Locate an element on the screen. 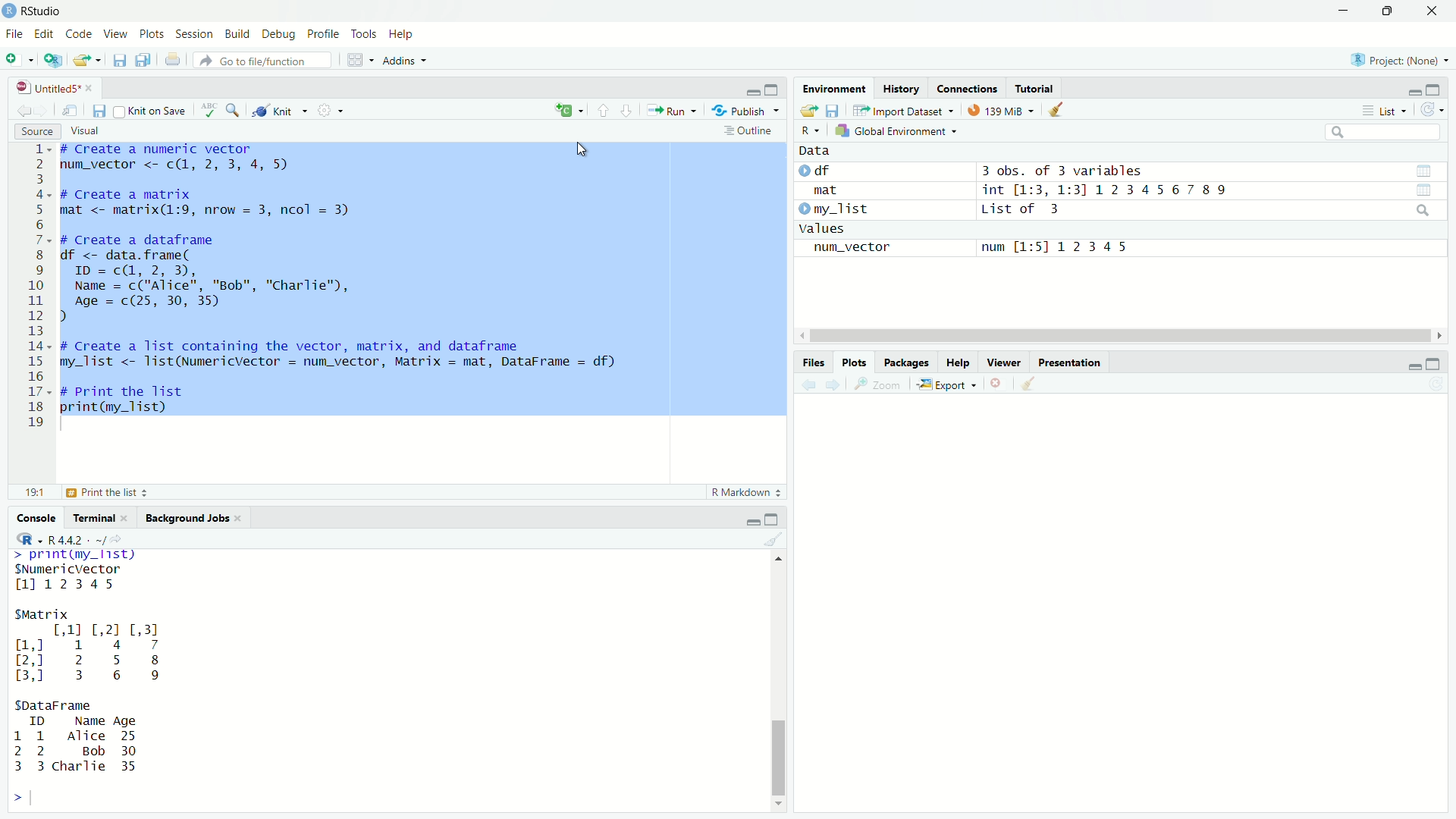  minimise is located at coordinates (1330, 14).